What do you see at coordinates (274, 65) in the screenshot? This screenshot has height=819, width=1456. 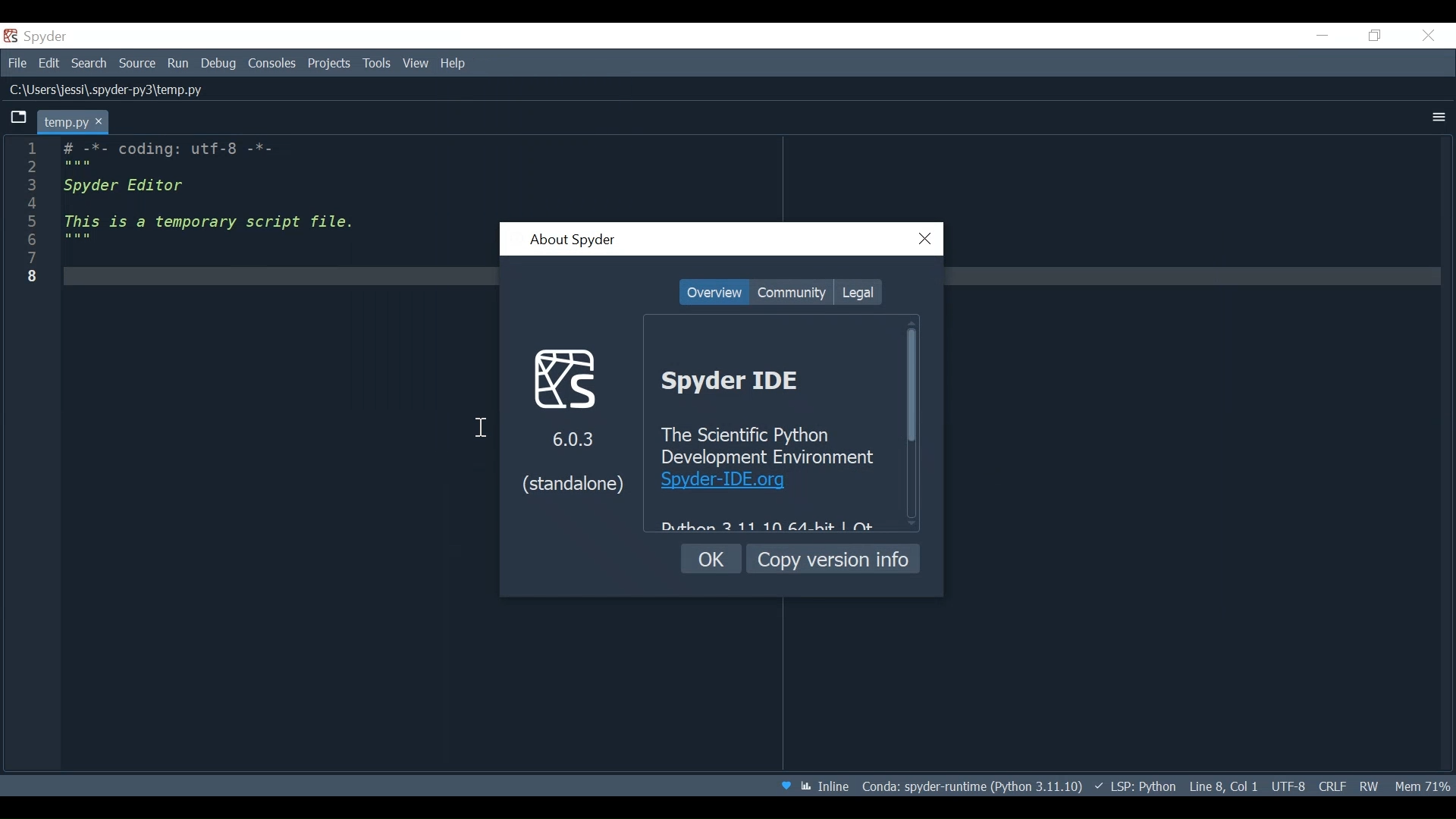 I see `Consoles` at bounding box center [274, 65].